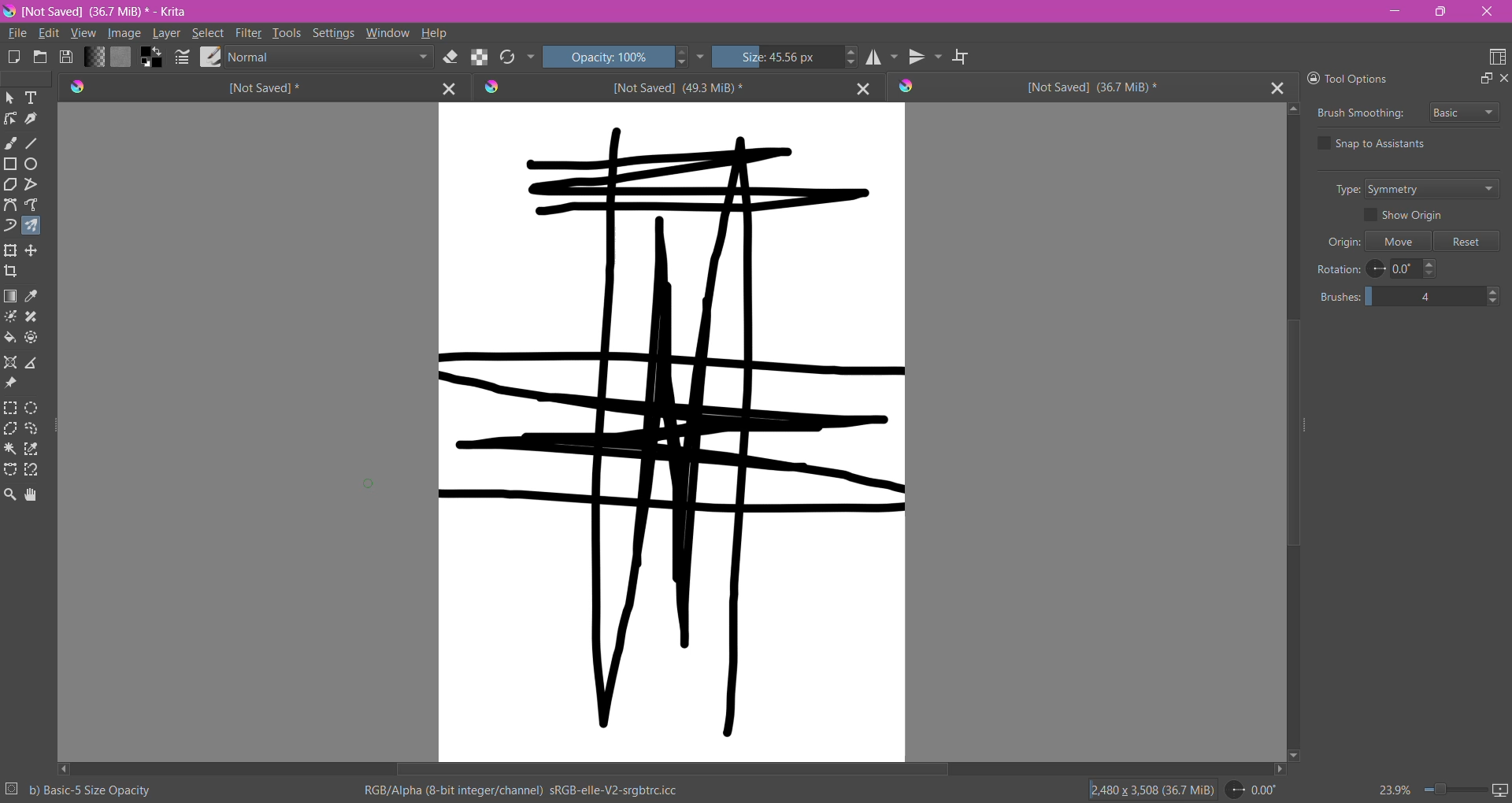  Describe the element at coordinates (521, 790) in the screenshot. I see `Color Space` at that location.